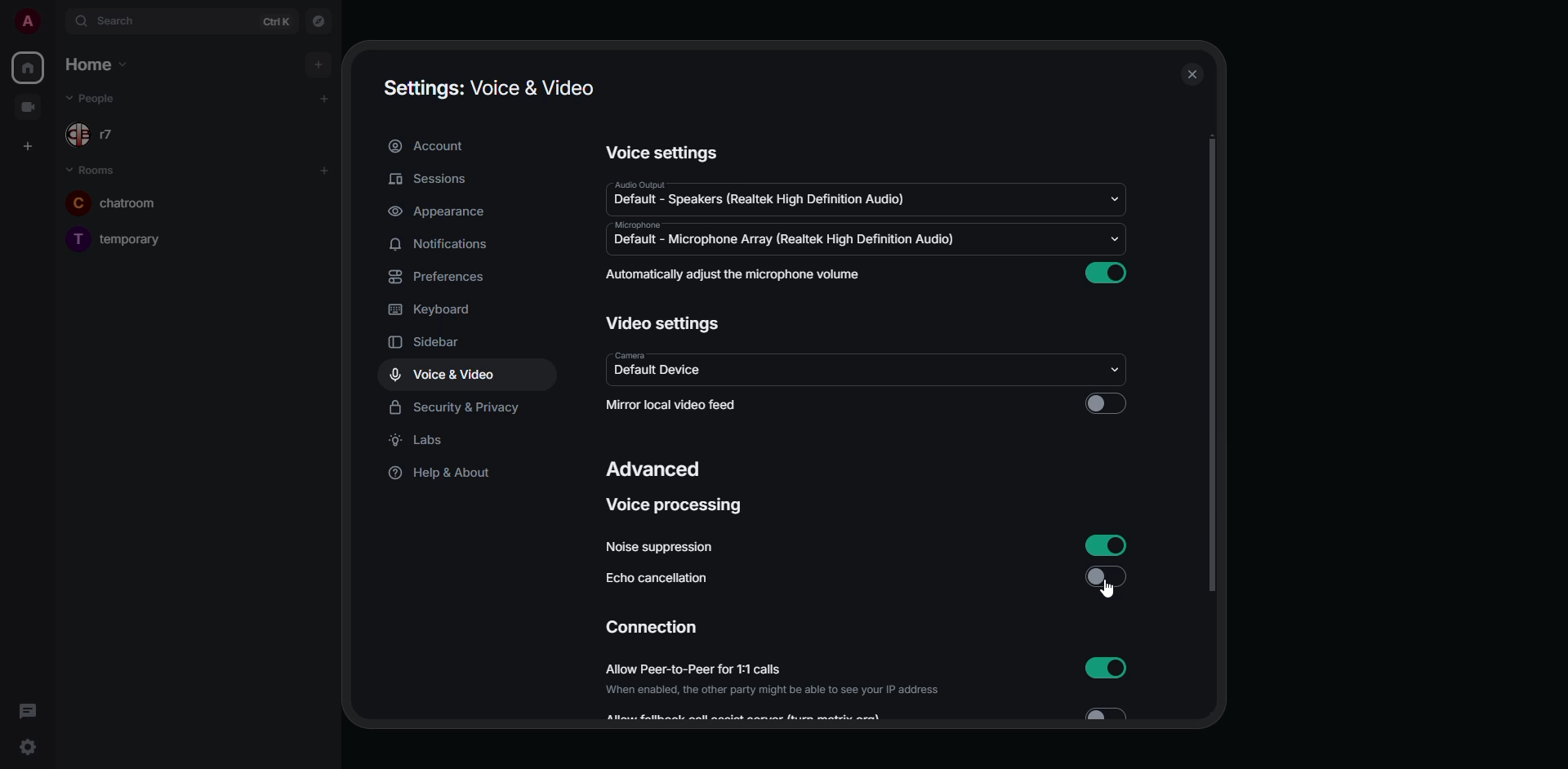  Describe the element at coordinates (432, 180) in the screenshot. I see `sessions` at that location.